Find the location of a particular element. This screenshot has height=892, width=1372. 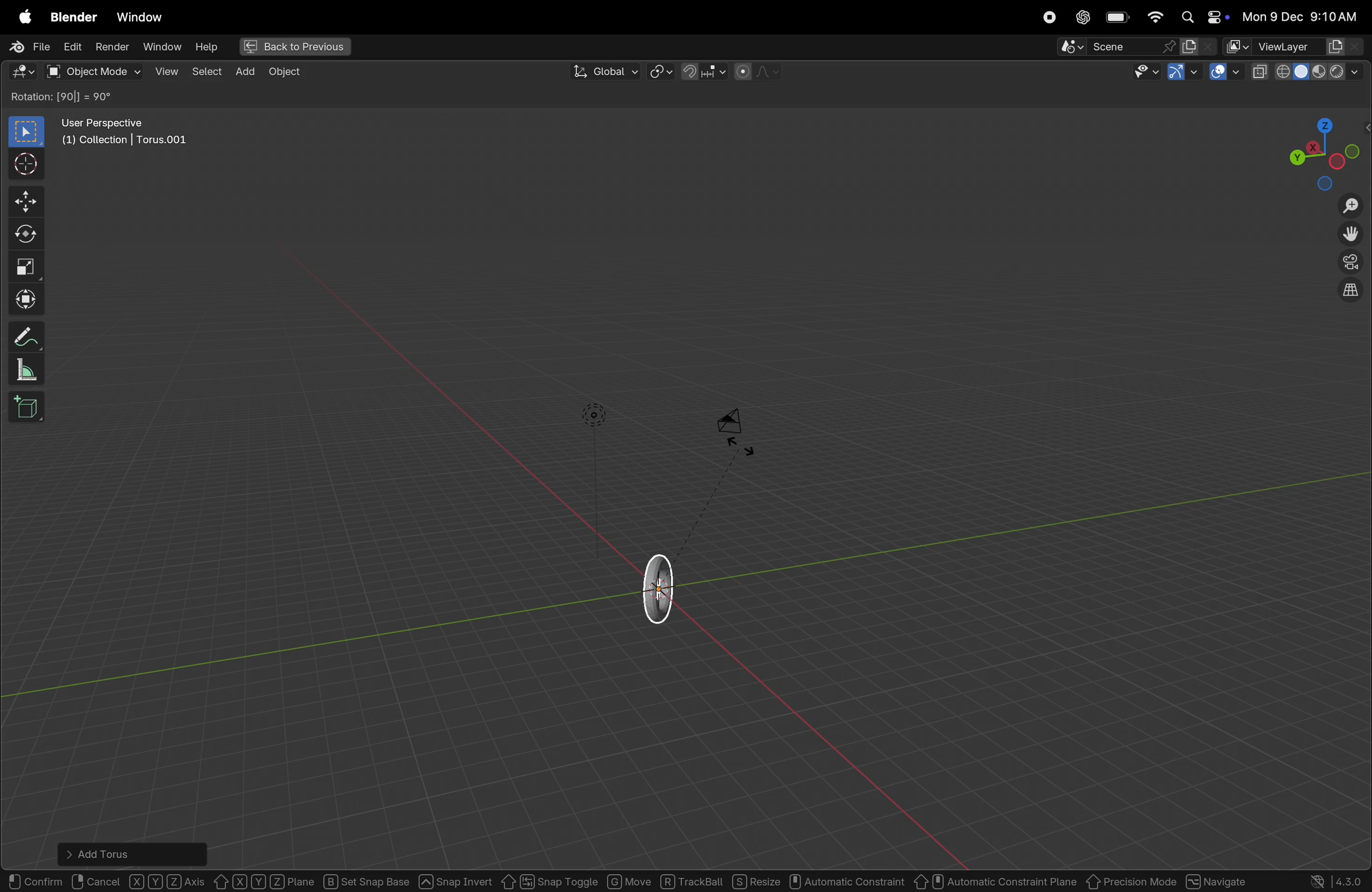

rotate  is located at coordinates (29, 232).